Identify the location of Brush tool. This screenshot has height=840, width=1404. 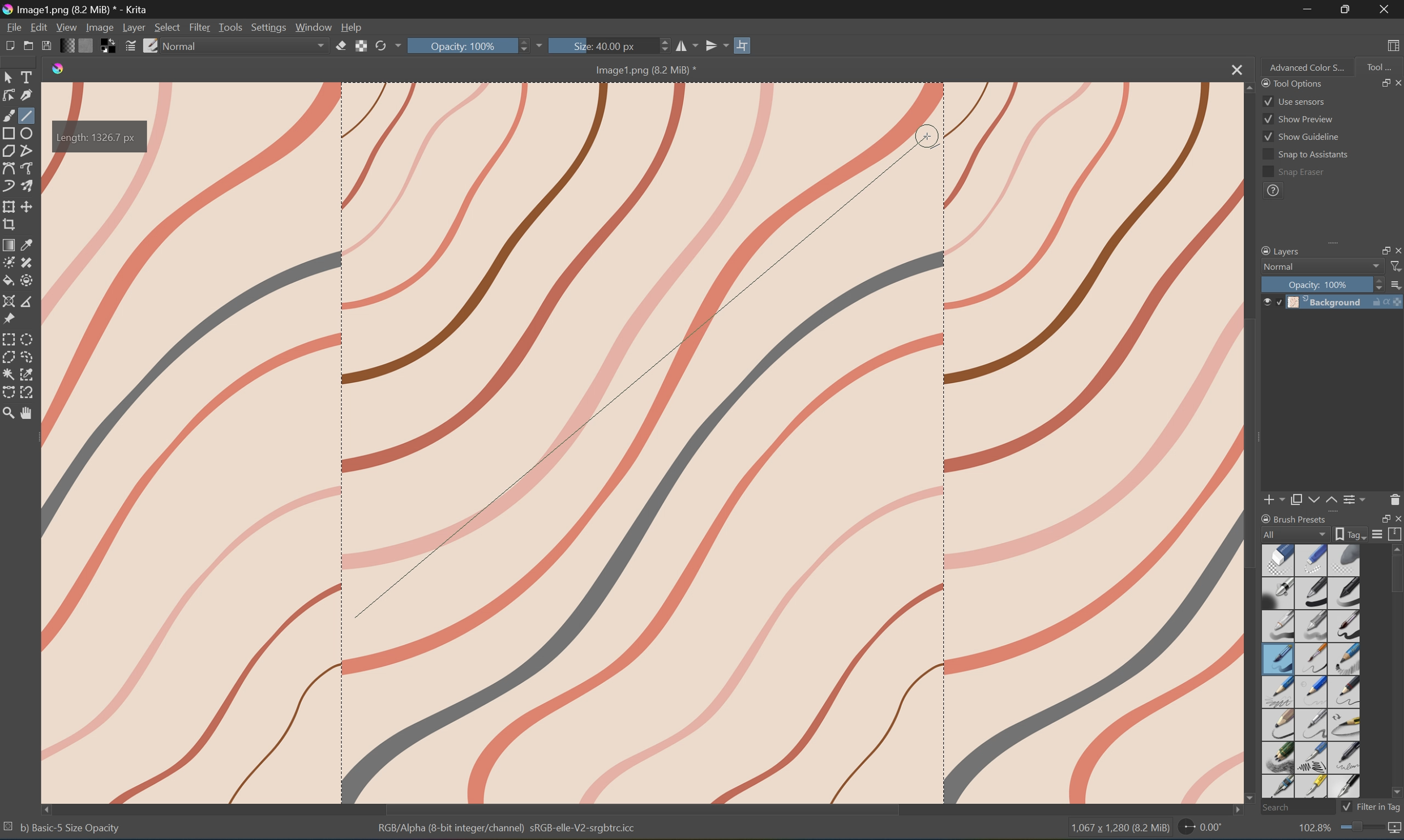
(9, 114).